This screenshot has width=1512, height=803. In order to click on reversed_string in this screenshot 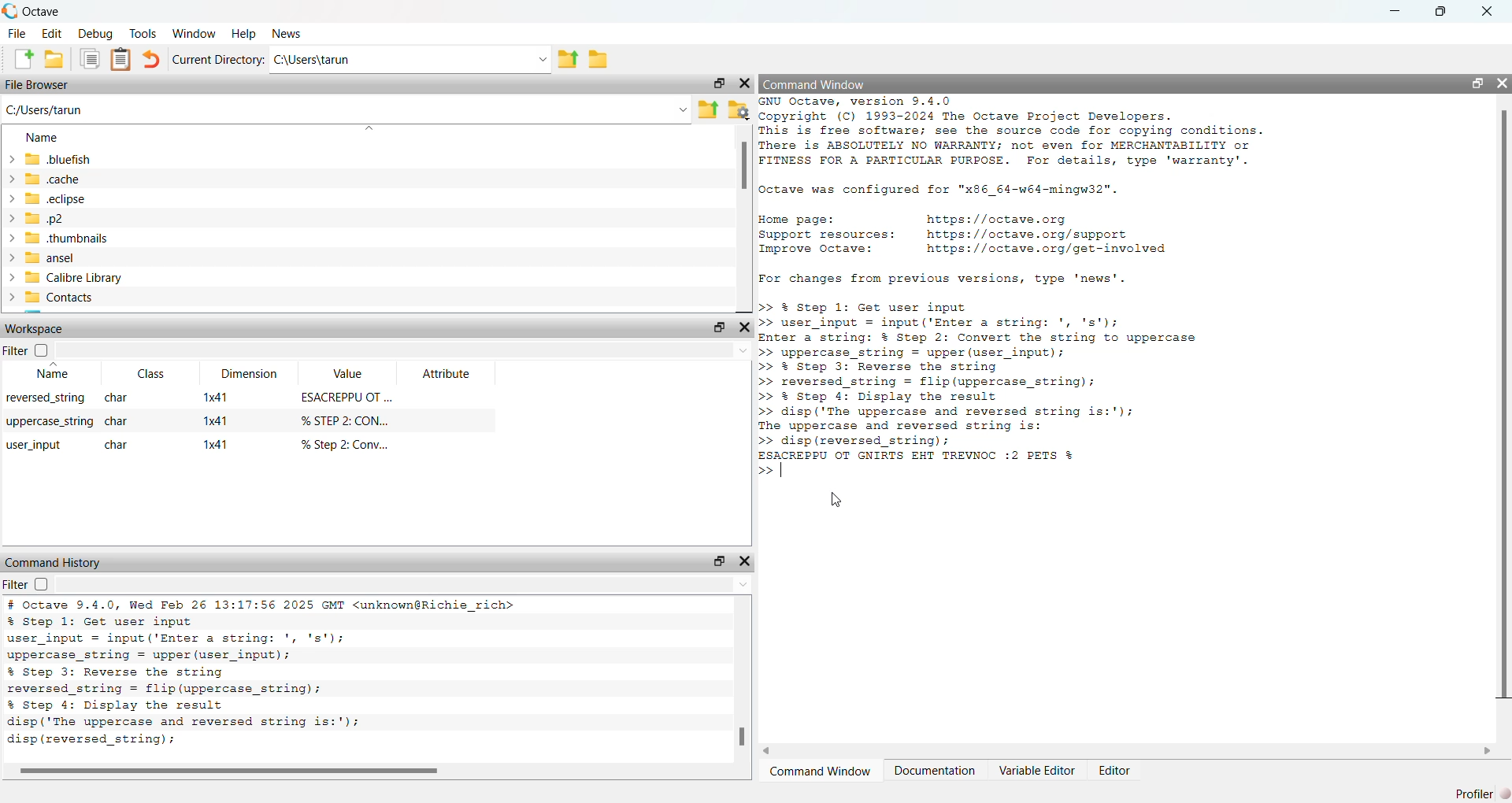, I will do `click(43, 399)`.